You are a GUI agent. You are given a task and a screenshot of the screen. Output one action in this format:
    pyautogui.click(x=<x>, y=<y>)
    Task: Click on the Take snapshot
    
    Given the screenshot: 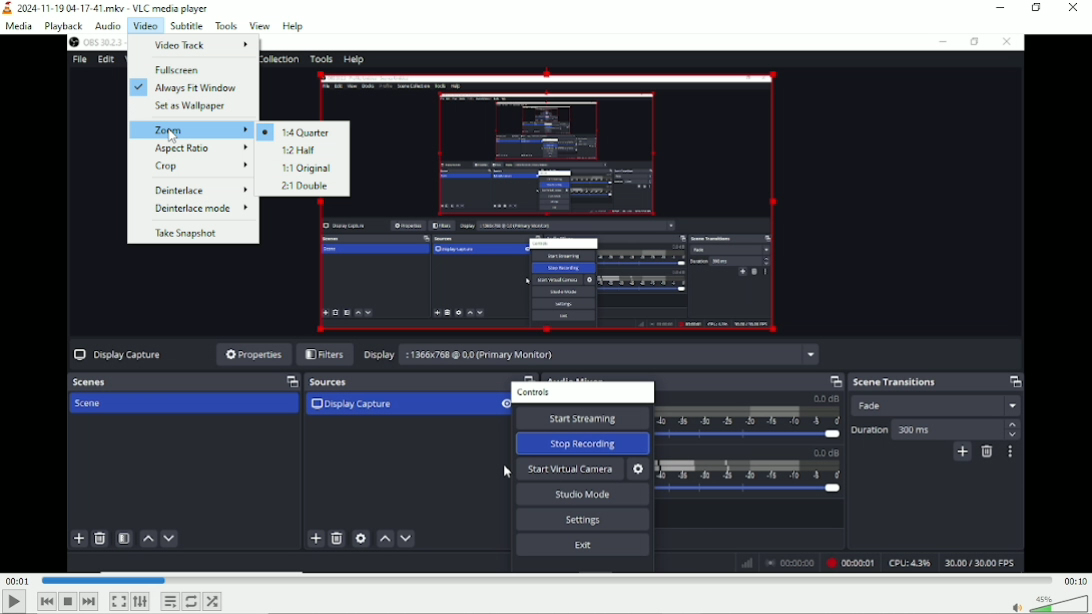 What is the action you would take?
    pyautogui.click(x=187, y=234)
    